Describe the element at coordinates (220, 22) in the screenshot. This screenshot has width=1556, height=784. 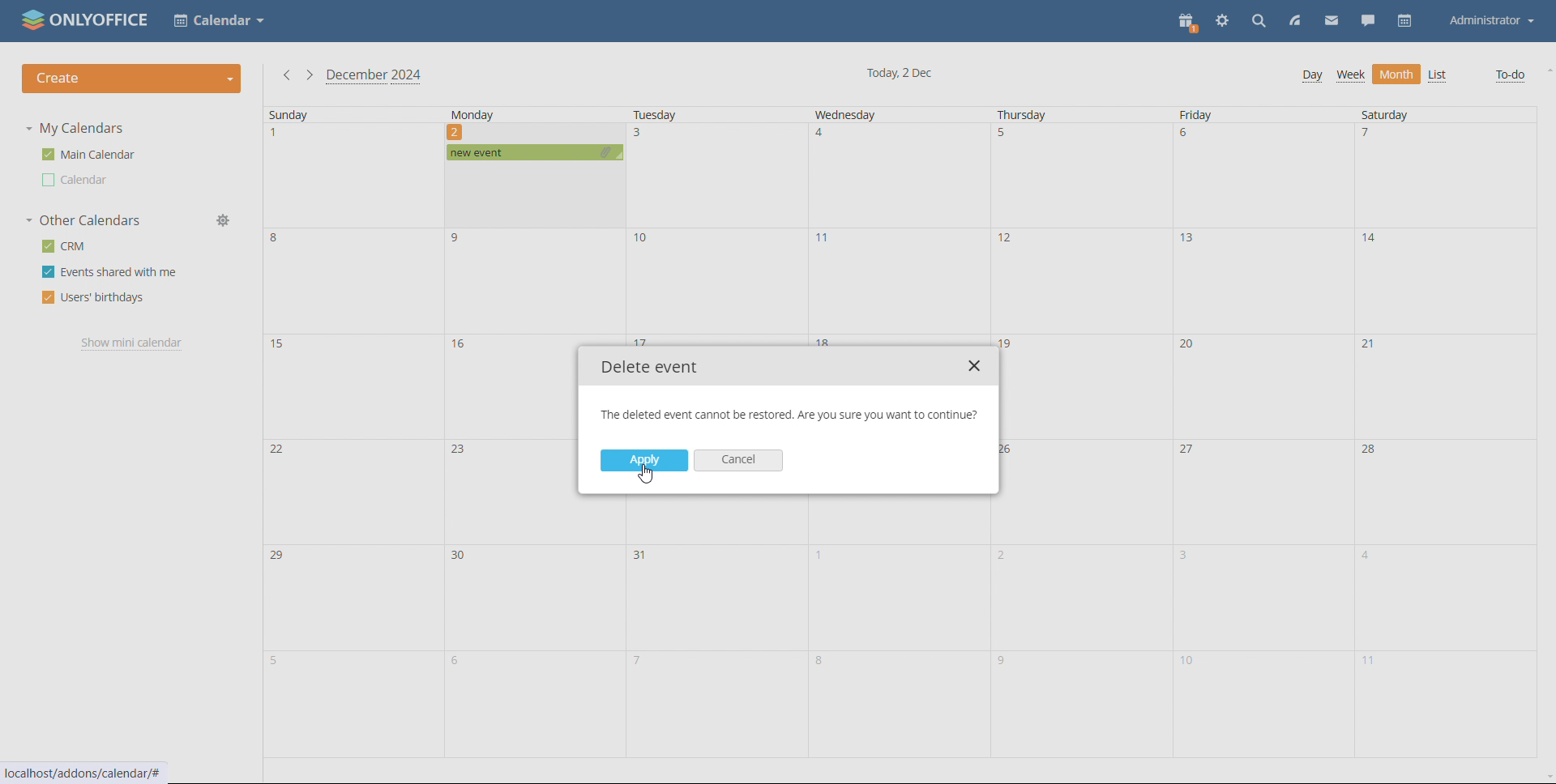
I see `Calendar` at that location.